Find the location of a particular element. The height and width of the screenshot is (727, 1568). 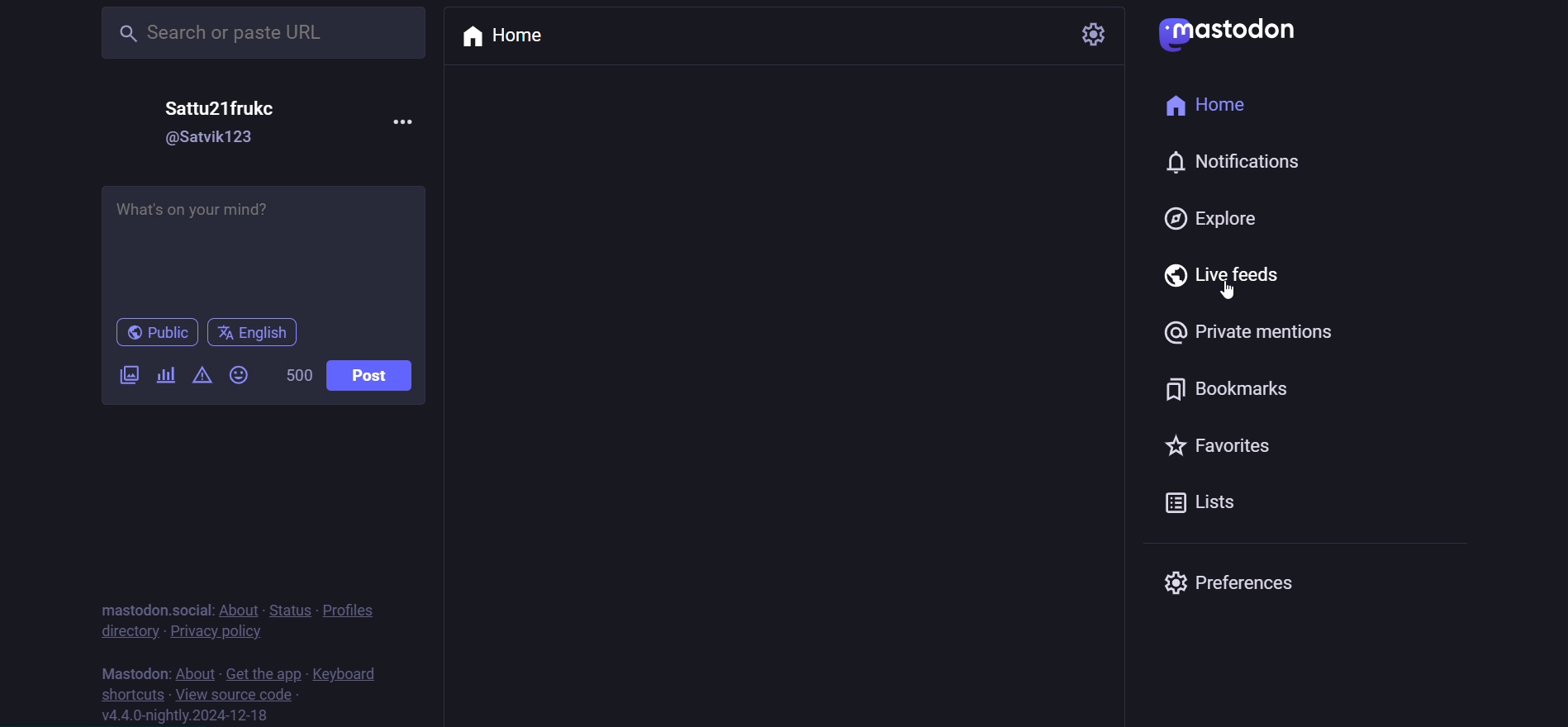

mastodon is located at coordinates (1233, 34).